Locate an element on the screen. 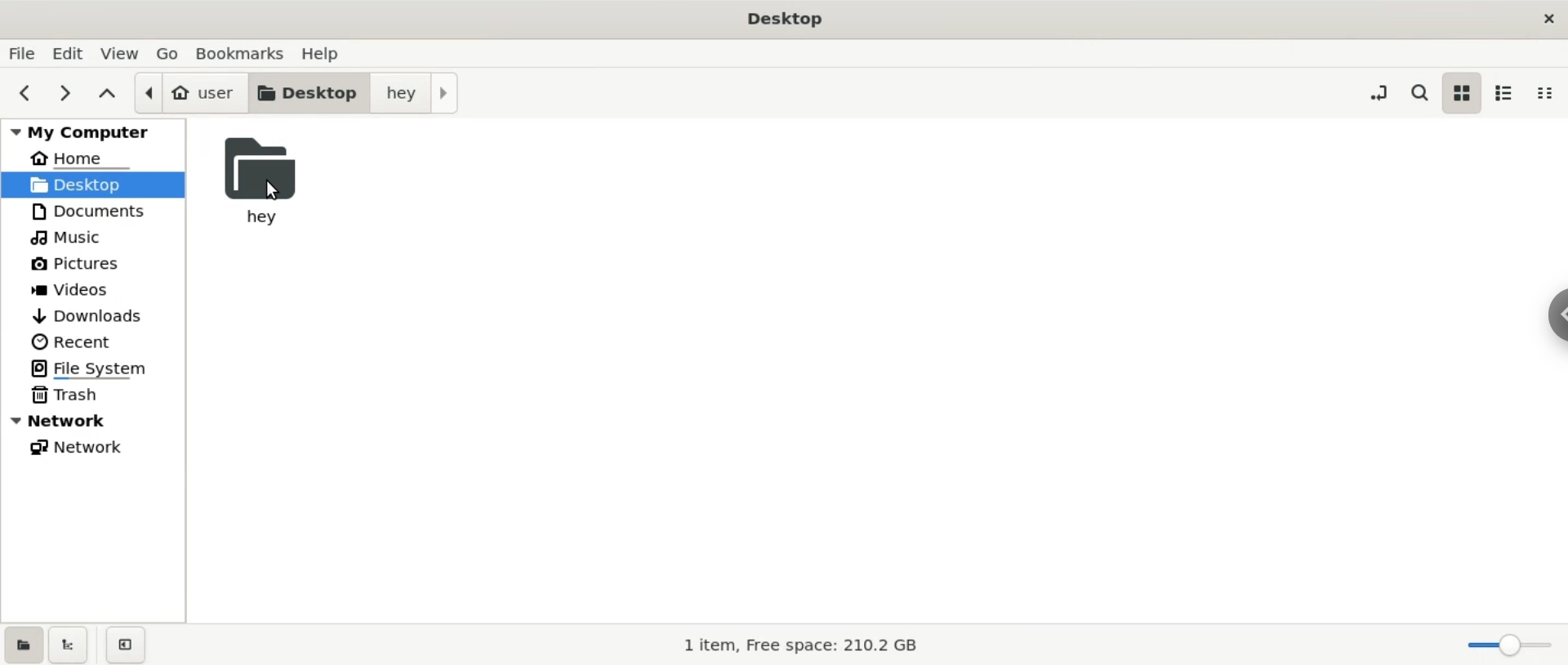  show treeview is located at coordinates (72, 645).